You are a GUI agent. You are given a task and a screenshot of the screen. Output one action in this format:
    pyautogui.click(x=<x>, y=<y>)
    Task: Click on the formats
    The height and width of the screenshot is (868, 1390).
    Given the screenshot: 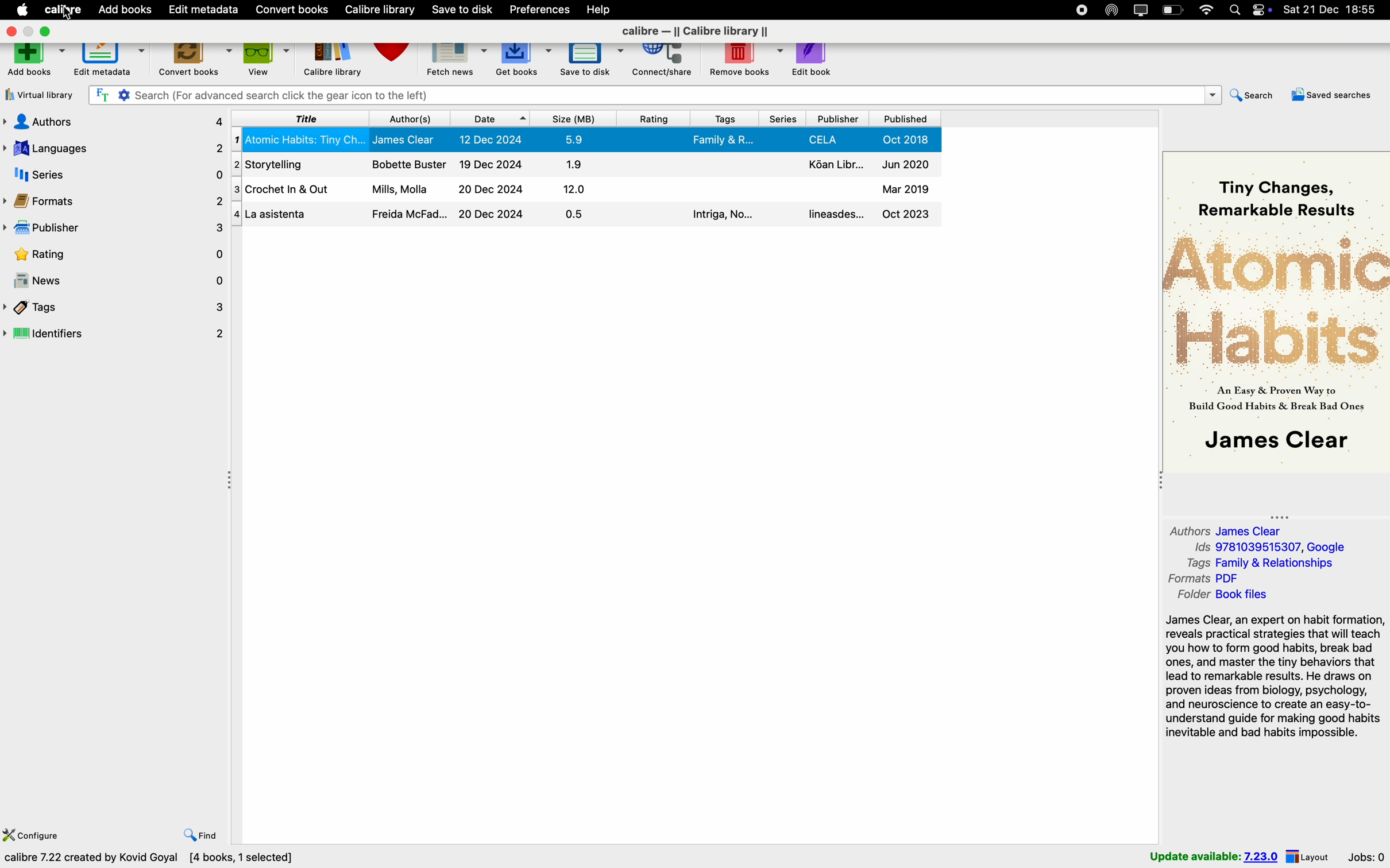 What is the action you would take?
    pyautogui.click(x=115, y=201)
    